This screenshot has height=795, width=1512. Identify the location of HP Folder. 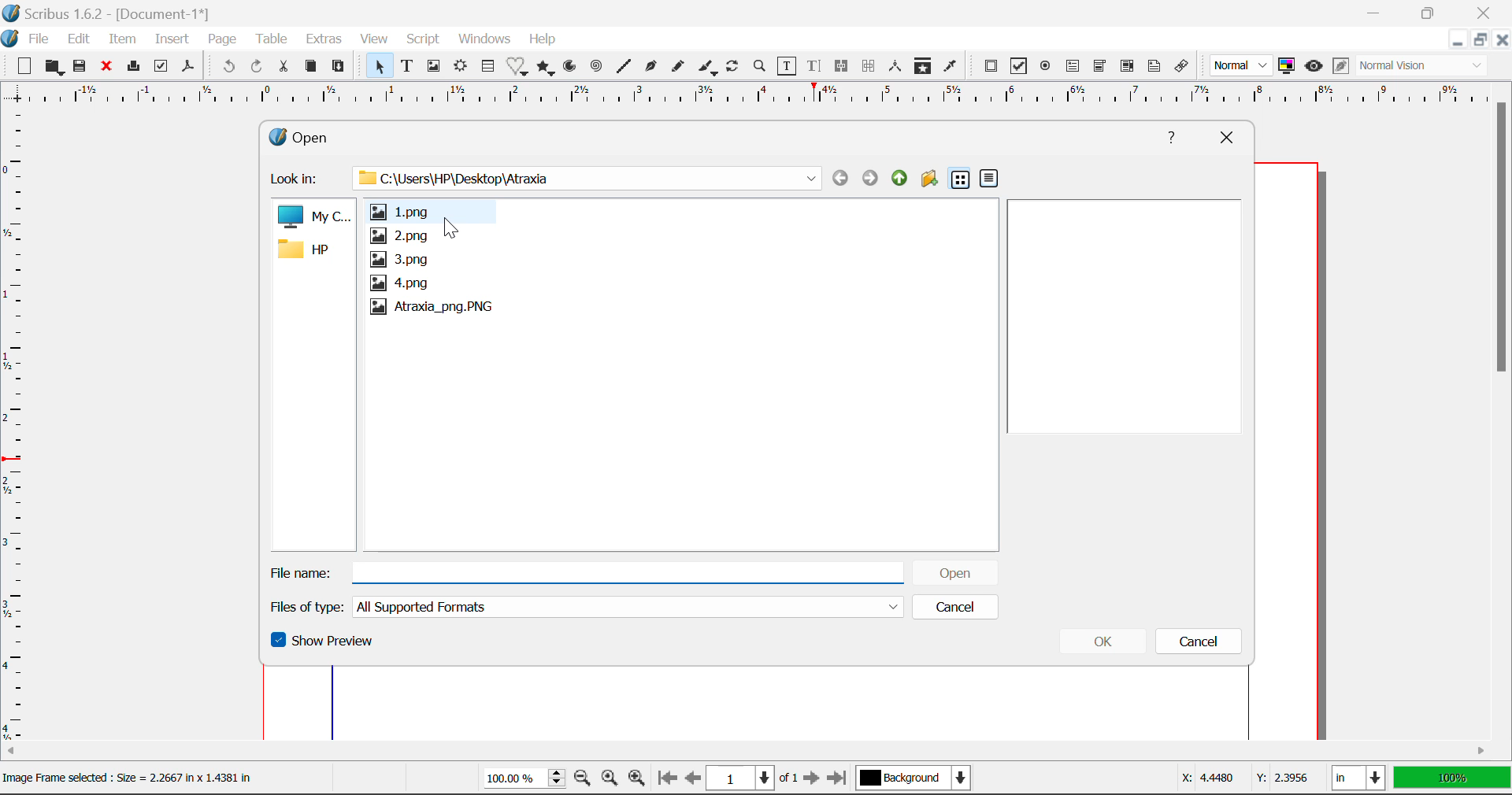
(311, 251).